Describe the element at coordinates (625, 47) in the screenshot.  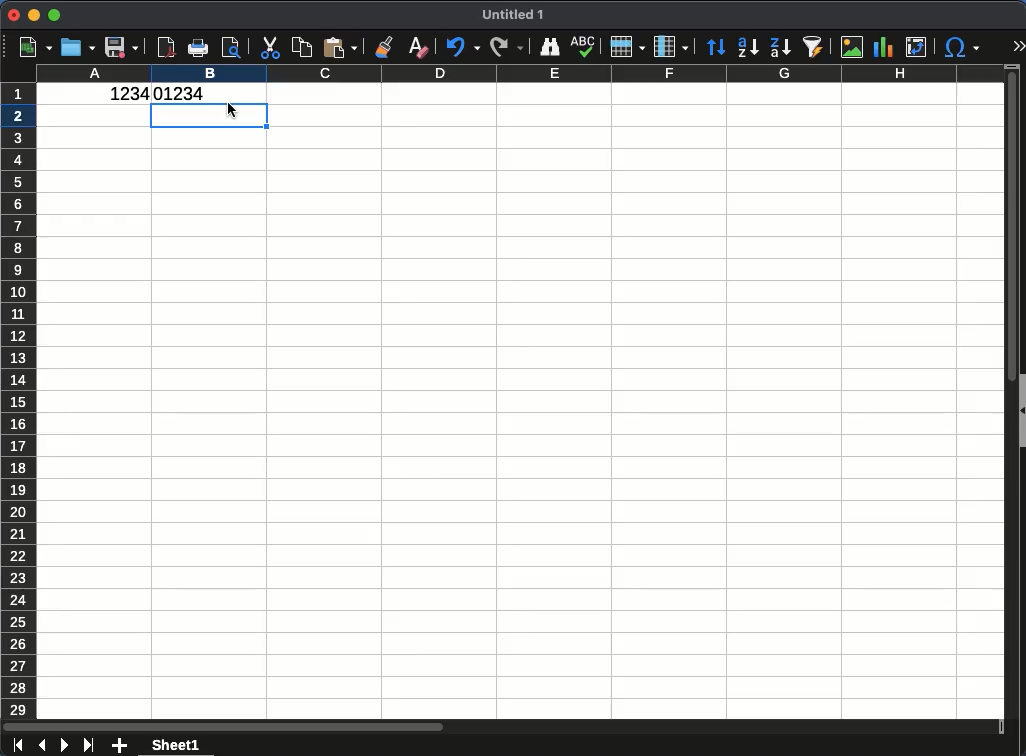
I see `row` at that location.